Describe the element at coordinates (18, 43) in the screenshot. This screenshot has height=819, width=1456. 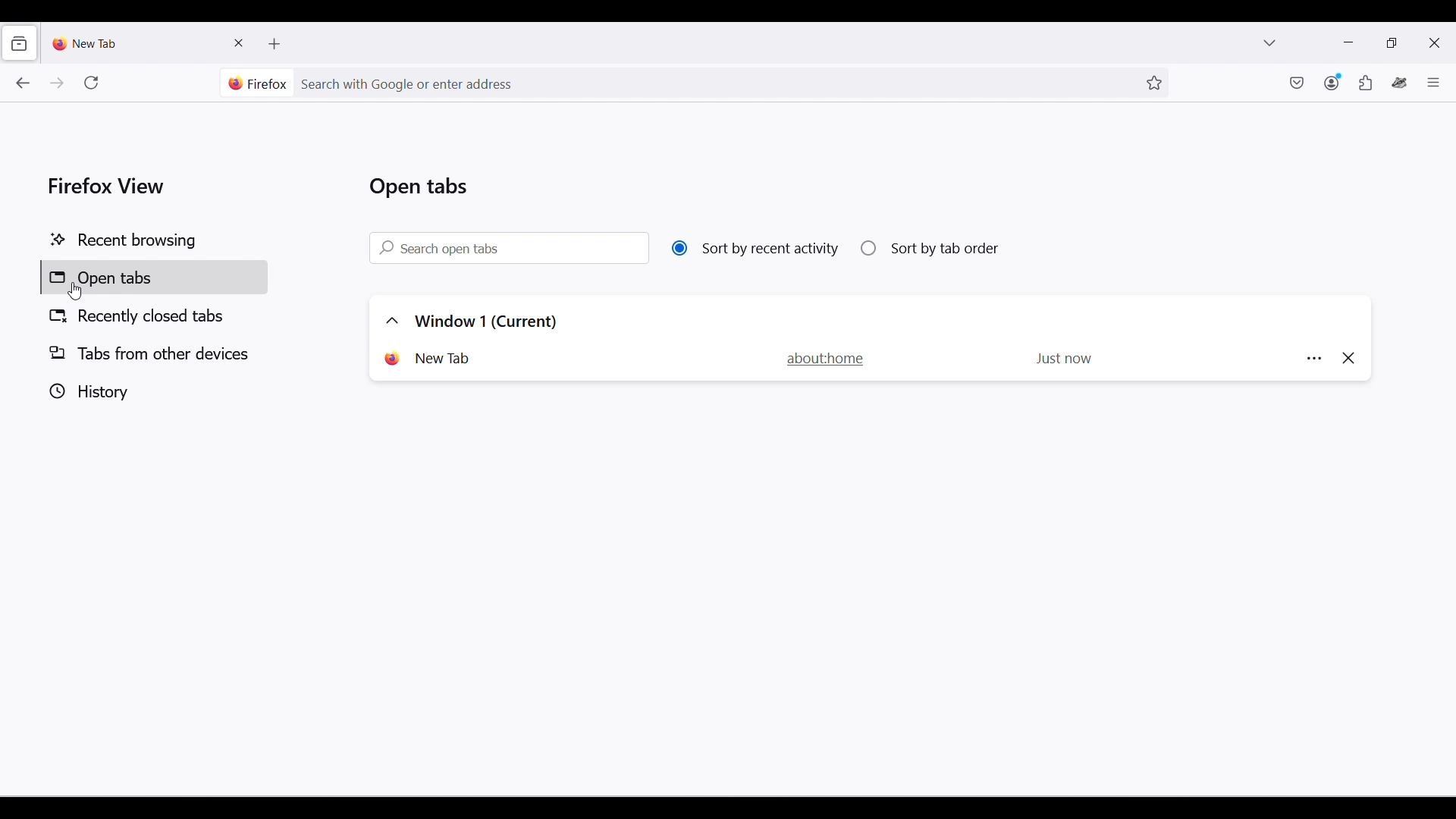
I see `View recent browsing across windows and devices` at that location.